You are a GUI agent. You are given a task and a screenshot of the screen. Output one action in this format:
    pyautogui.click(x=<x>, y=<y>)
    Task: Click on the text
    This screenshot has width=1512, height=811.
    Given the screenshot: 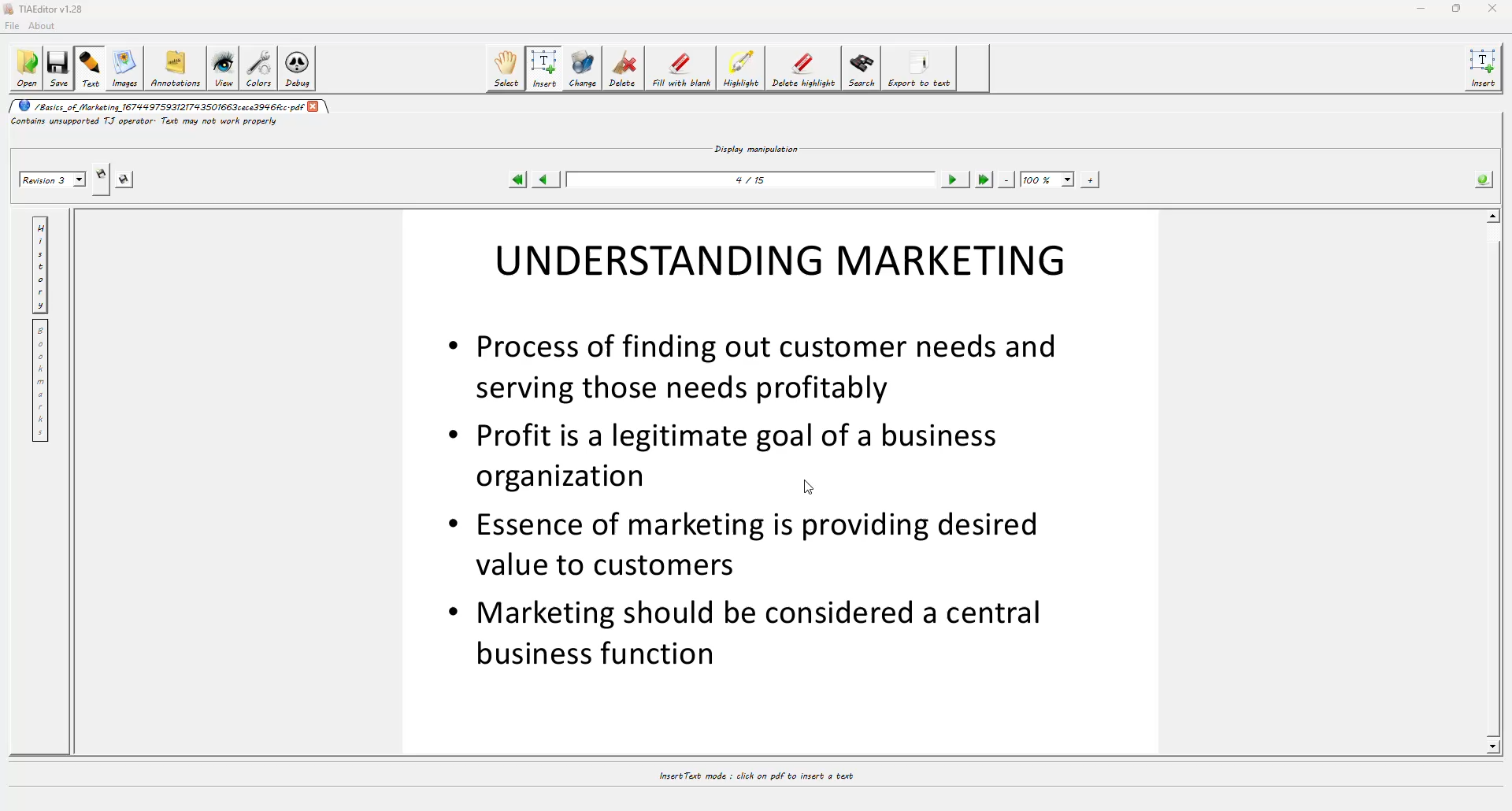 What is the action you would take?
    pyautogui.click(x=91, y=68)
    